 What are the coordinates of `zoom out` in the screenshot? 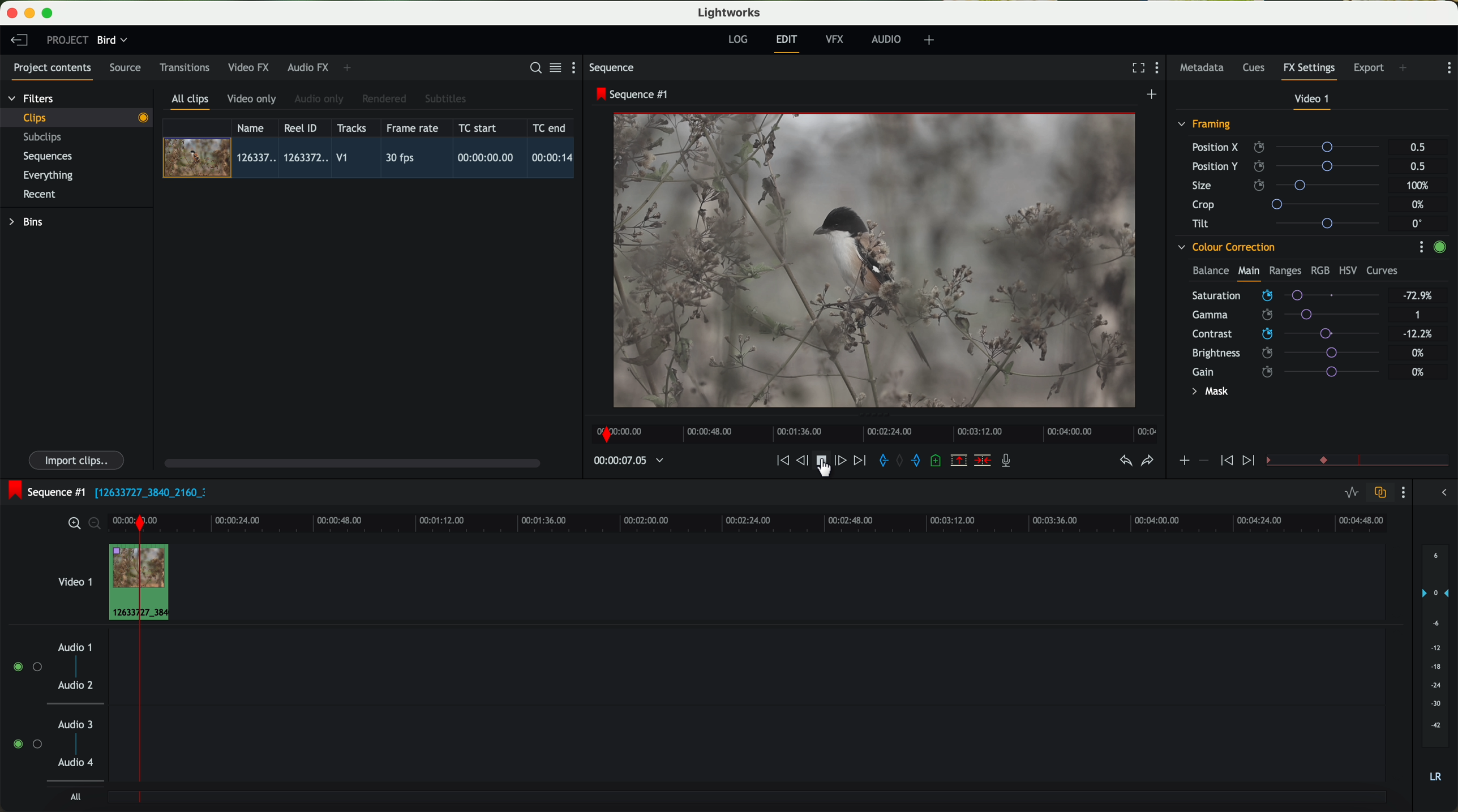 It's located at (96, 525).